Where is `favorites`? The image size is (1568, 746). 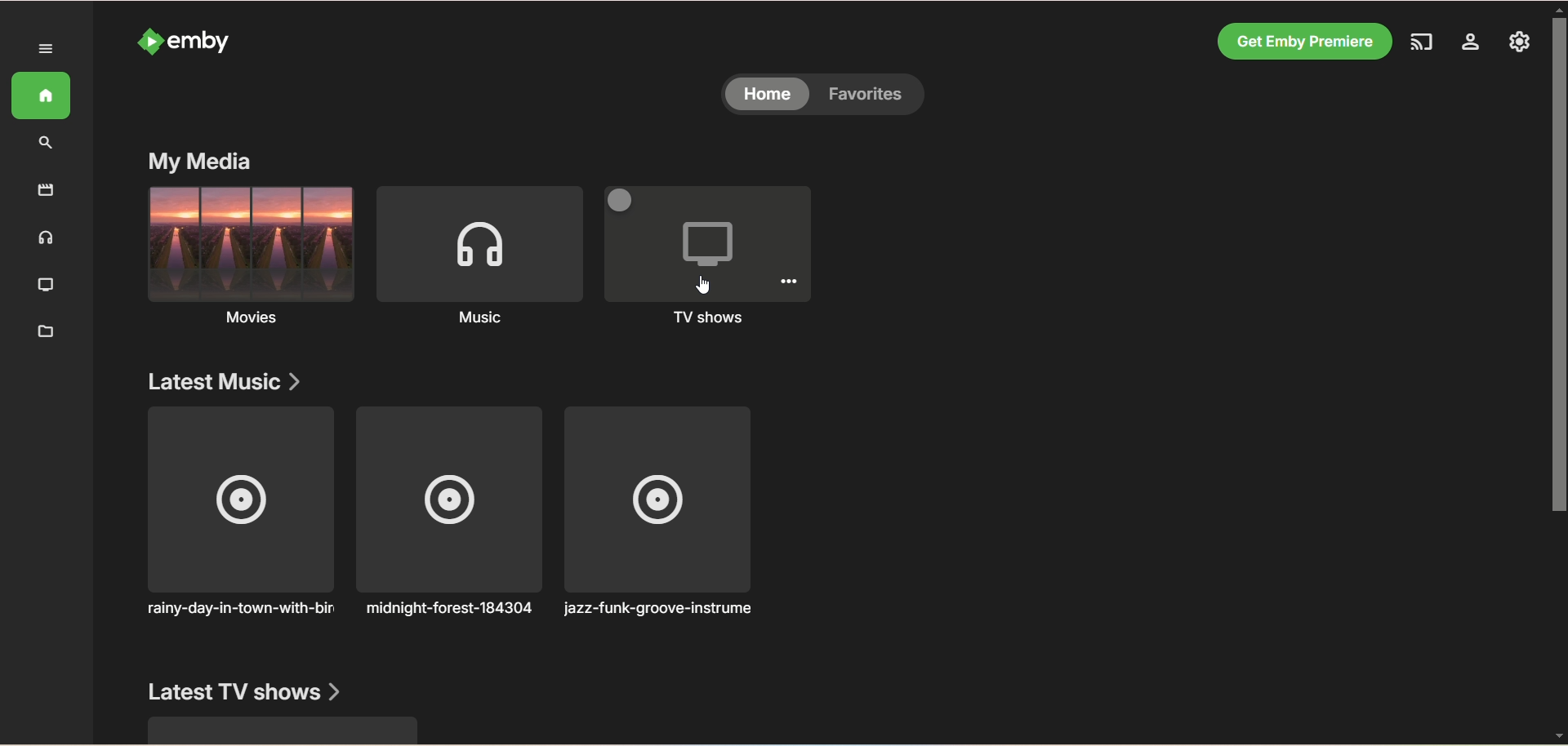 favorites is located at coordinates (880, 96).